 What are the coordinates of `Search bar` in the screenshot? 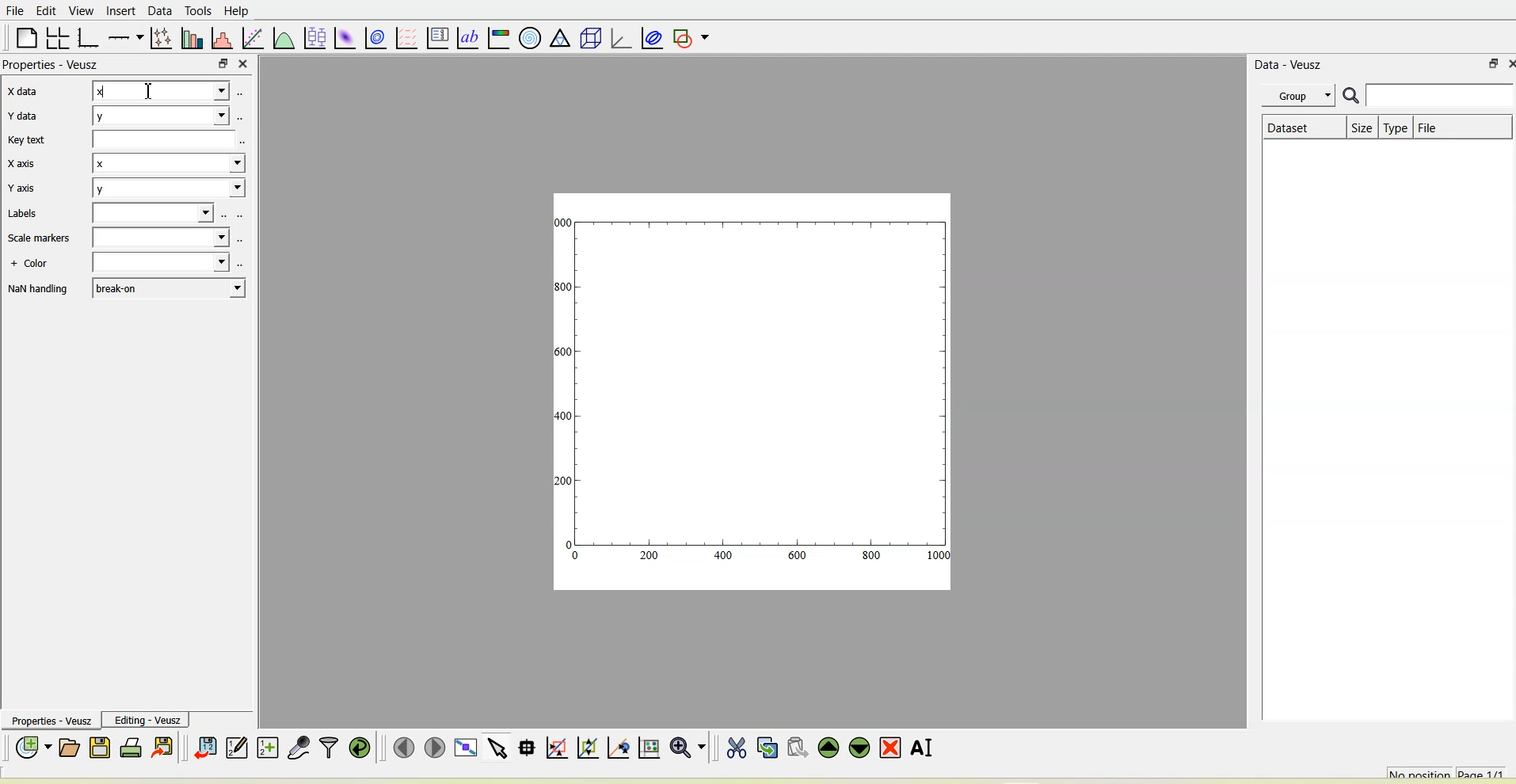 It's located at (1427, 95).